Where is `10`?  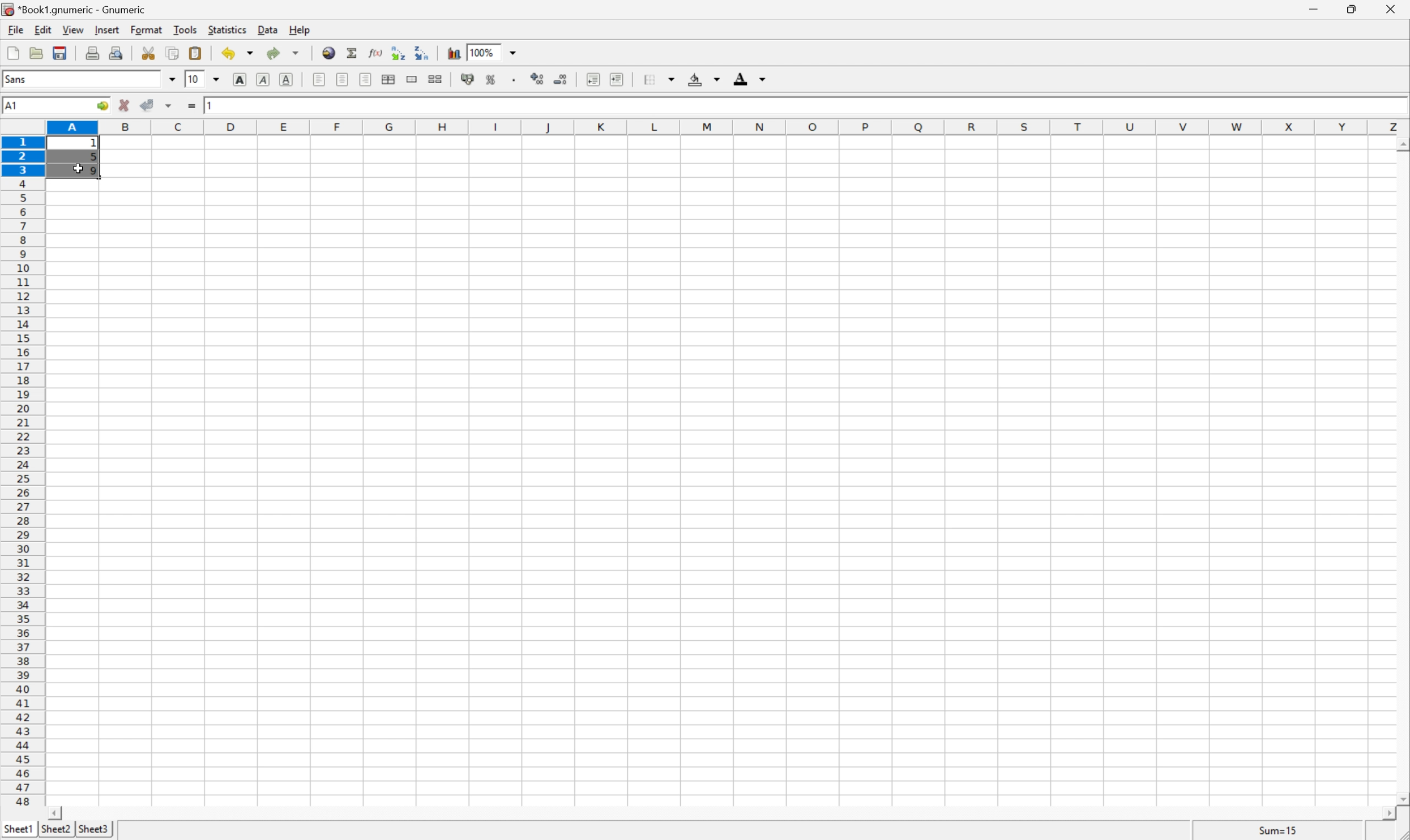 10 is located at coordinates (193, 78).